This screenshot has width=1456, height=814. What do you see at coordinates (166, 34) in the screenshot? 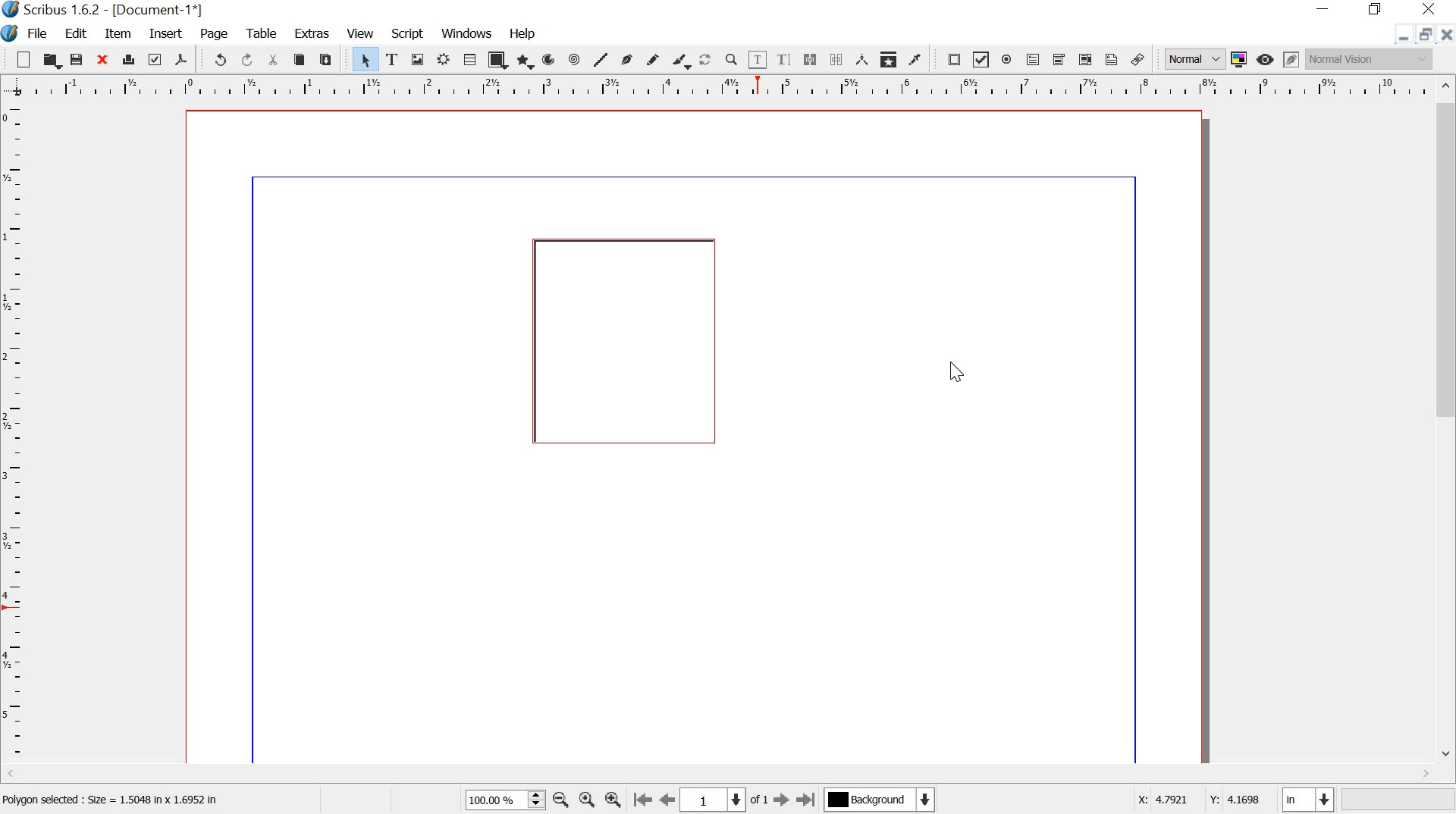
I see `insert` at bounding box center [166, 34].